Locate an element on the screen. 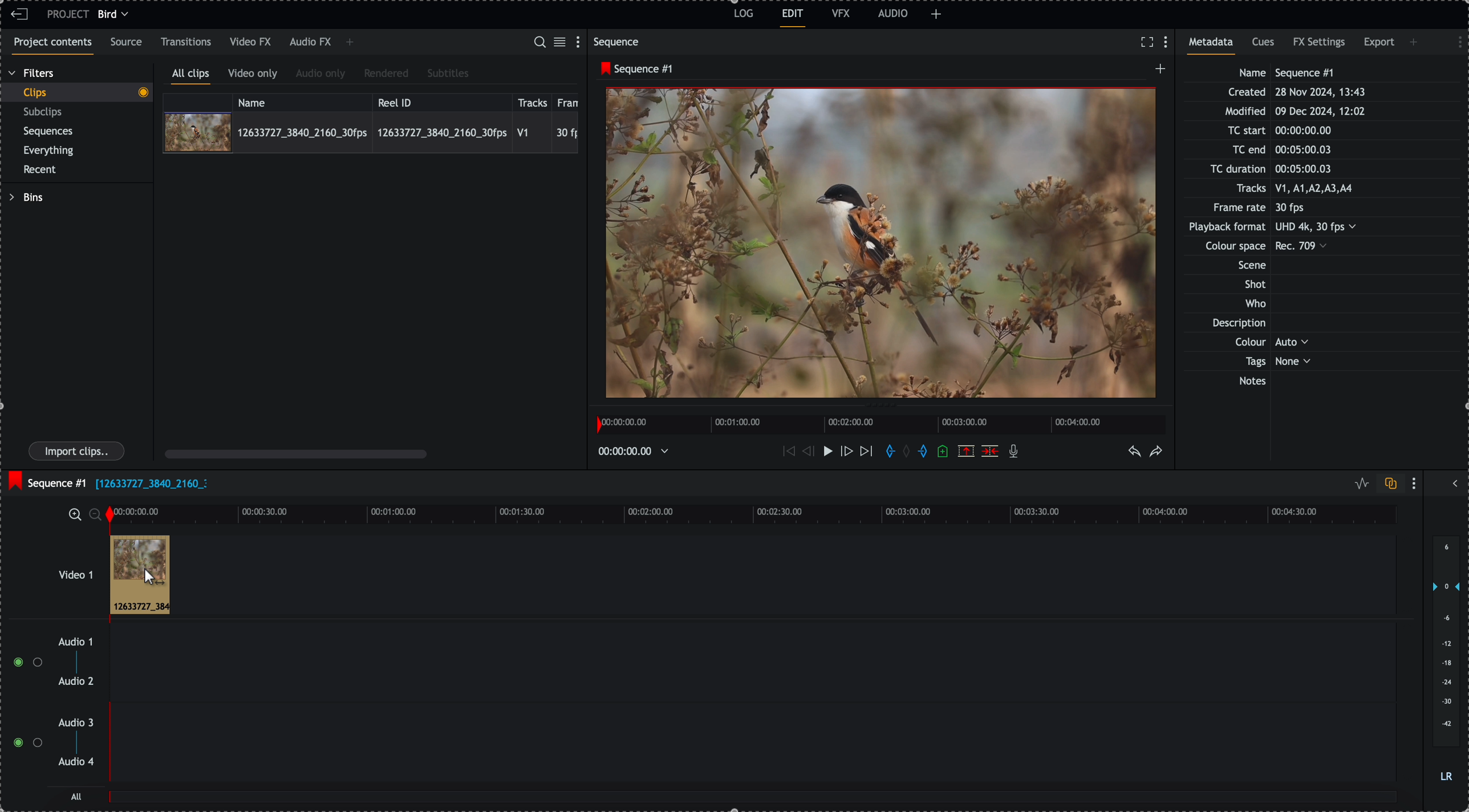  all is located at coordinates (77, 796).